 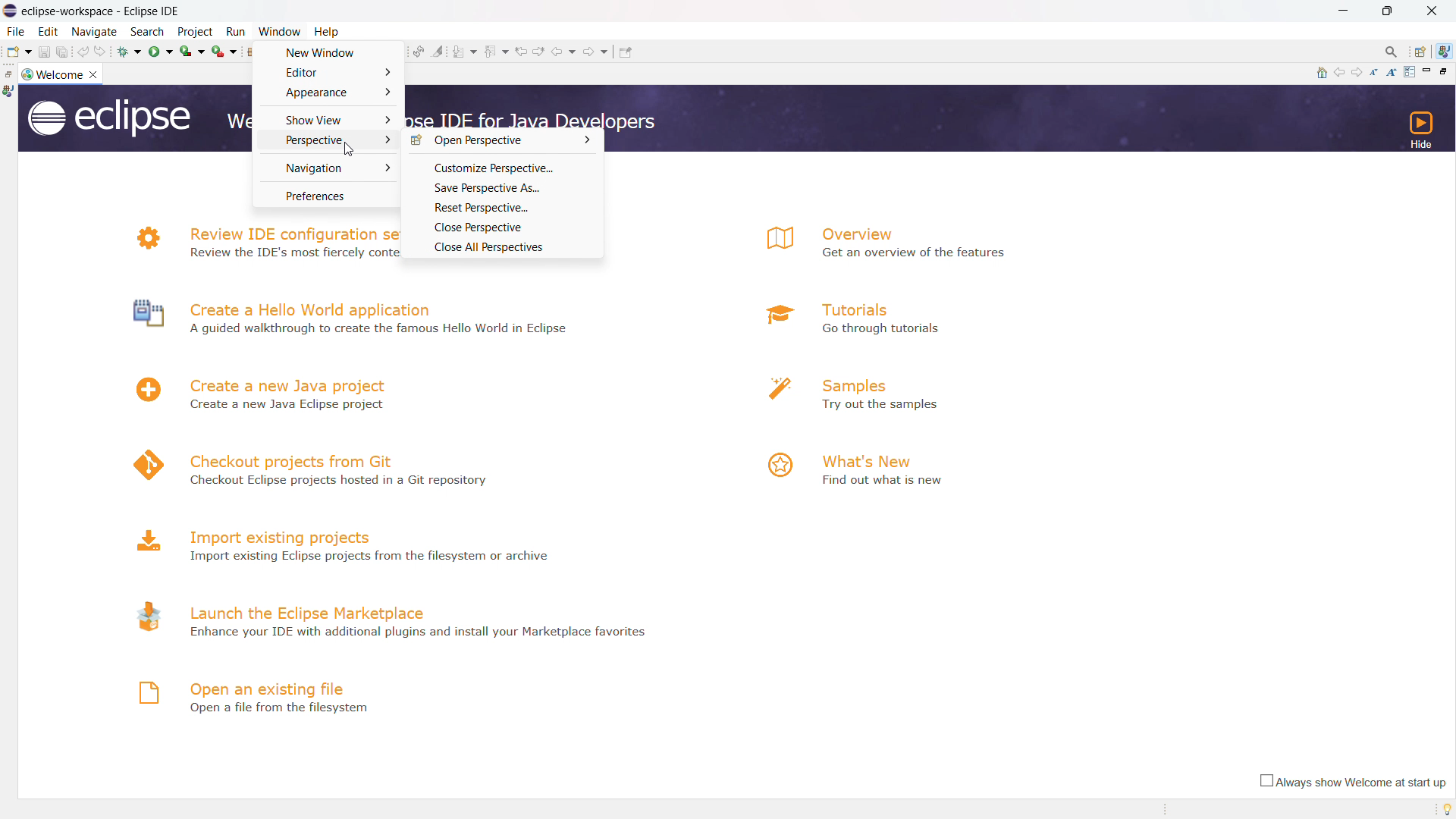 What do you see at coordinates (327, 52) in the screenshot?
I see `new window` at bounding box center [327, 52].